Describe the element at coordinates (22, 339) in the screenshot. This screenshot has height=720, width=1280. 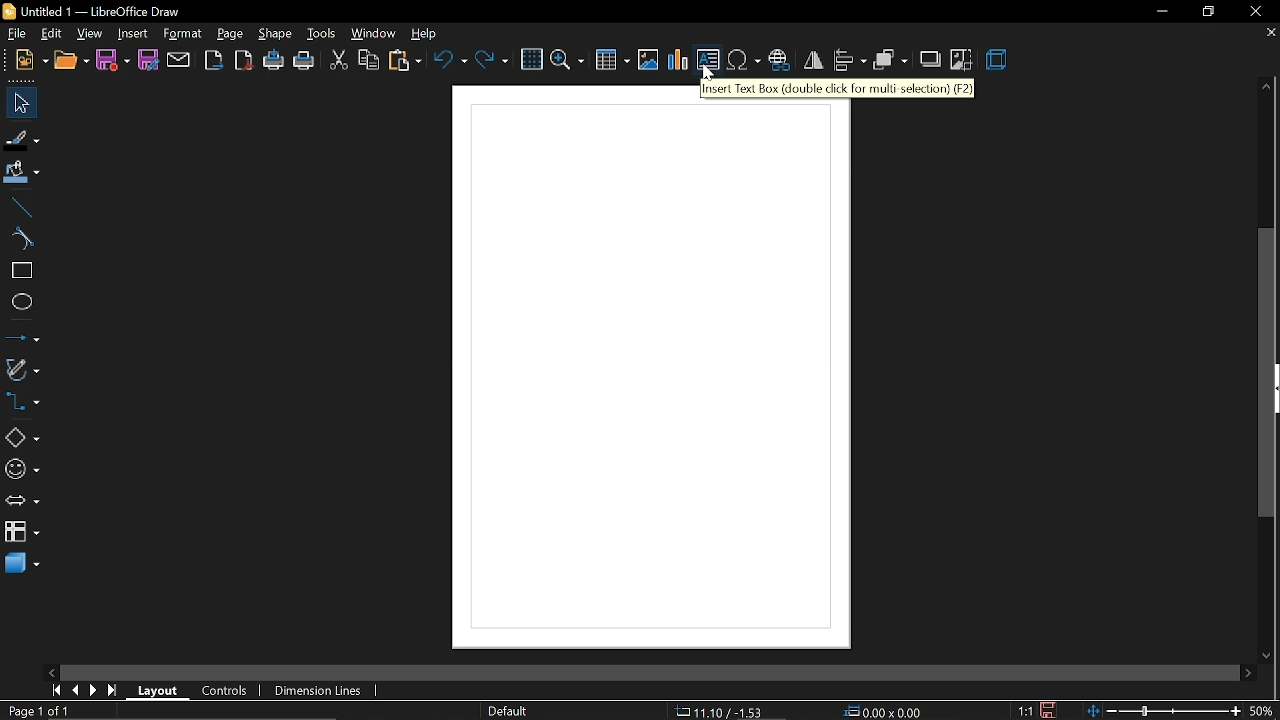
I see `lines and arrows` at that location.